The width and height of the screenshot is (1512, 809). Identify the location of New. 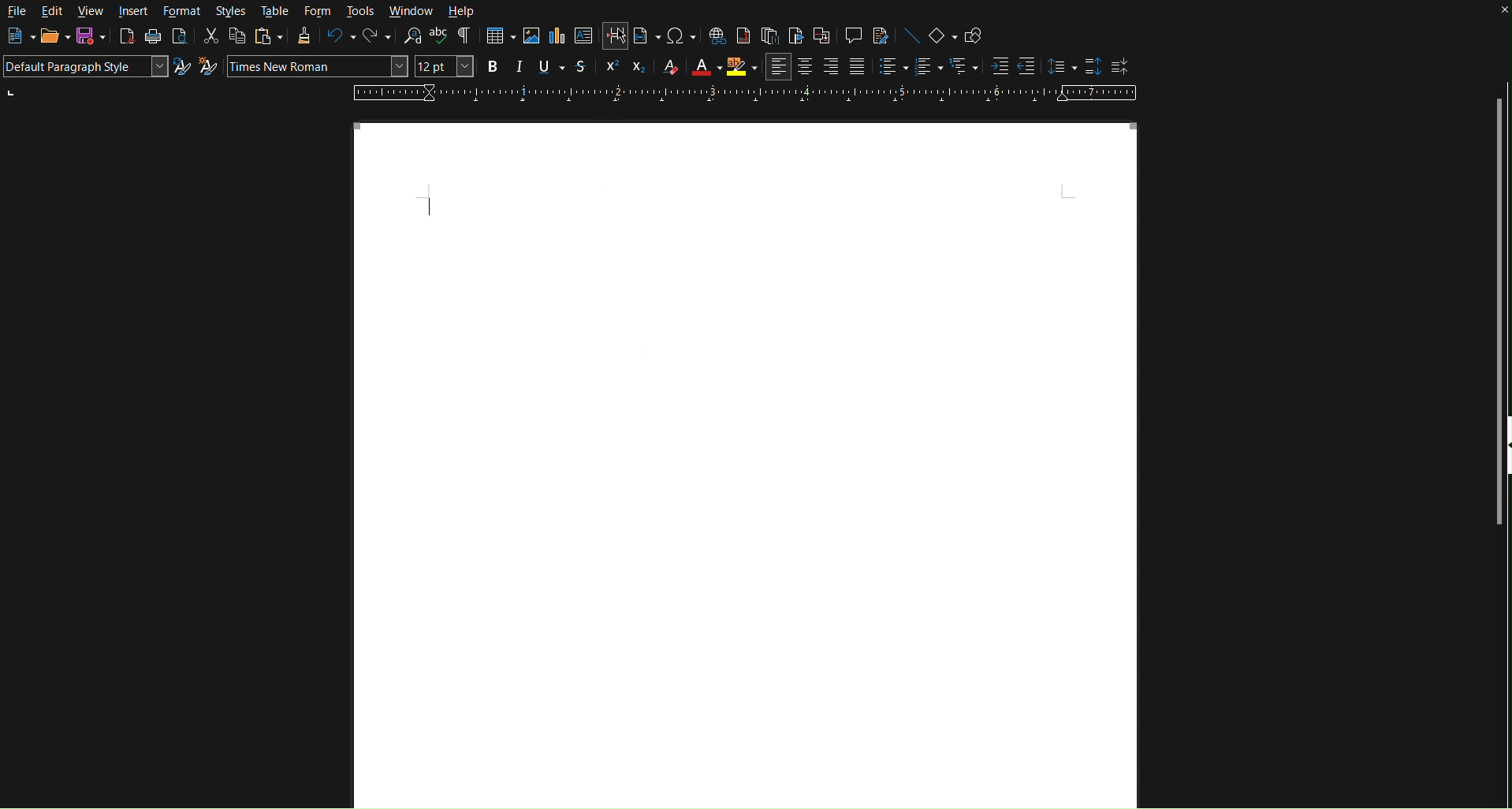
(15, 36).